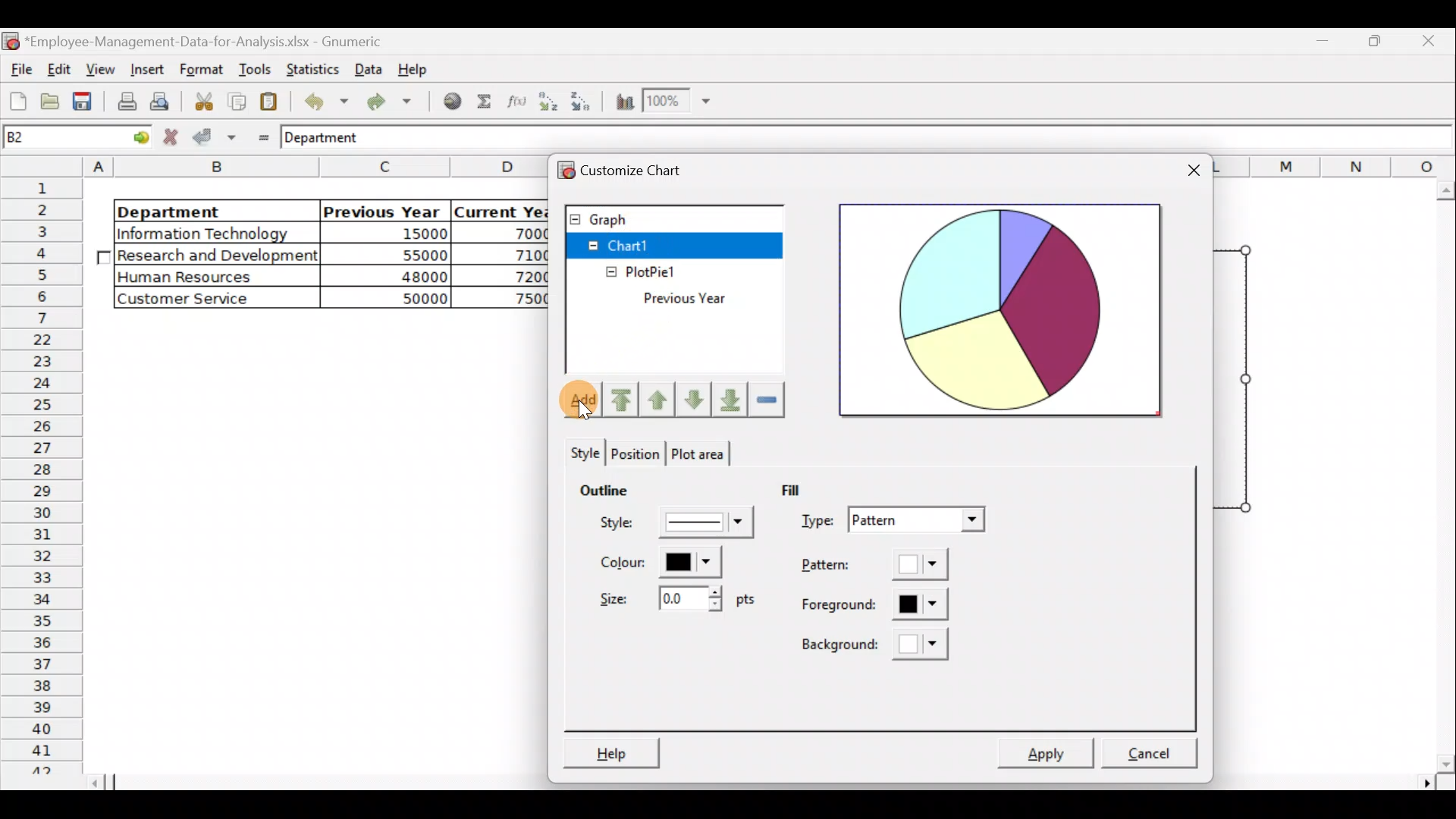  Describe the element at coordinates (611, 491) in the screenshot. I see `Outline` at that location.